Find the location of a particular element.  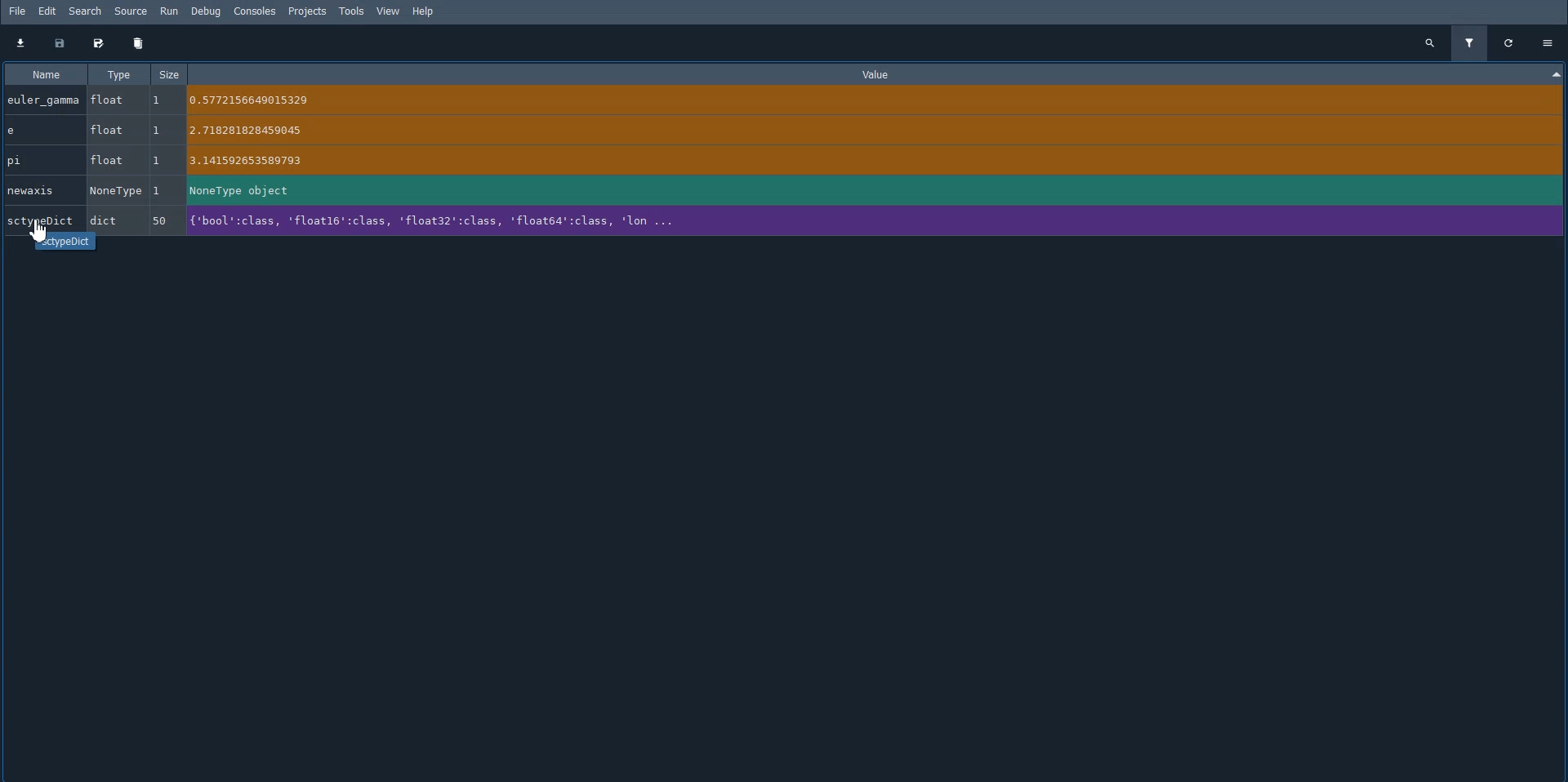

Projects is located at coordinates (306, 11).